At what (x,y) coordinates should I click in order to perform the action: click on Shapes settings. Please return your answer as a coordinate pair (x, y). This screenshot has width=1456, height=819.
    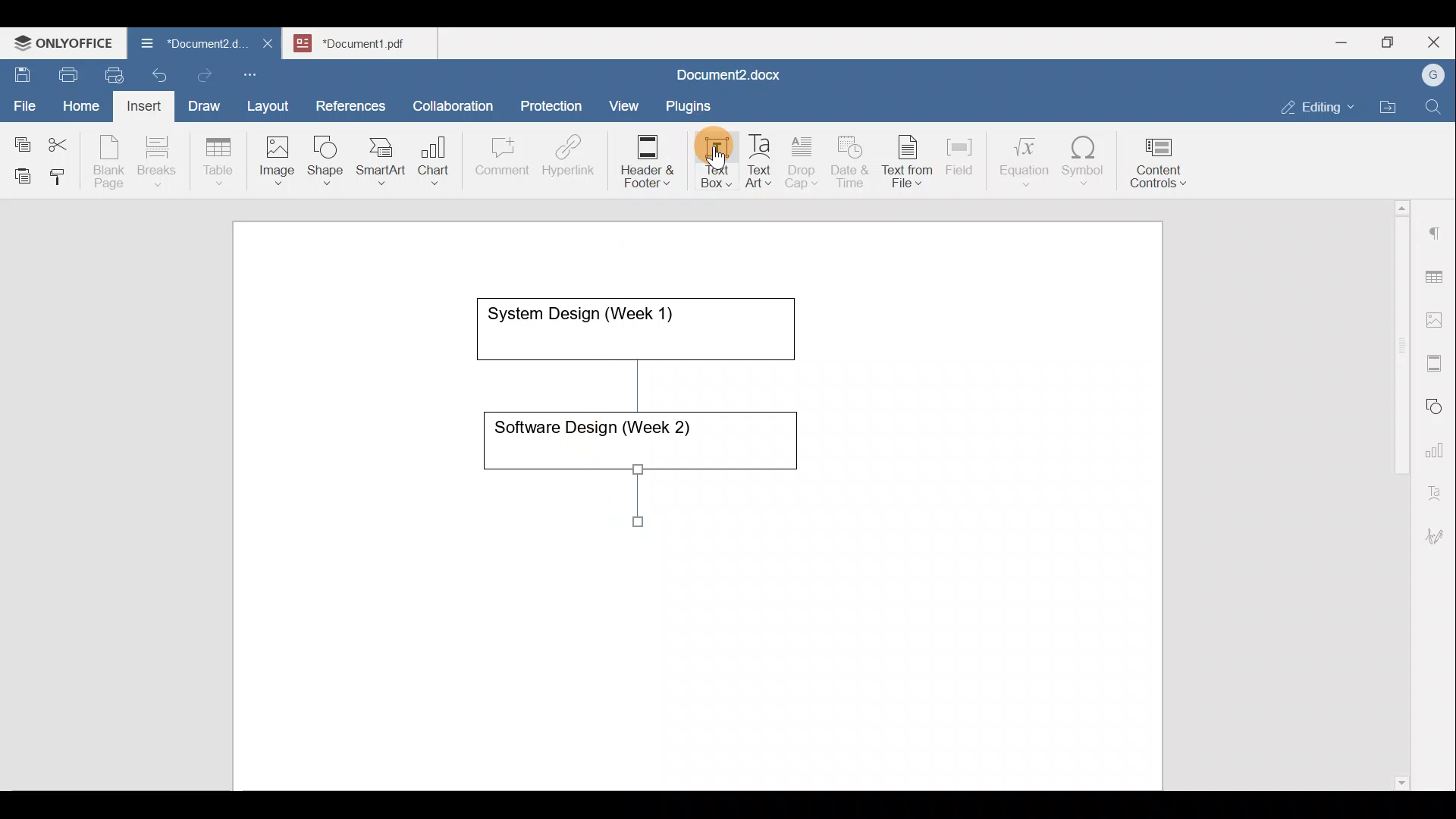
    Looking at the image, I should click on (1437, 404).